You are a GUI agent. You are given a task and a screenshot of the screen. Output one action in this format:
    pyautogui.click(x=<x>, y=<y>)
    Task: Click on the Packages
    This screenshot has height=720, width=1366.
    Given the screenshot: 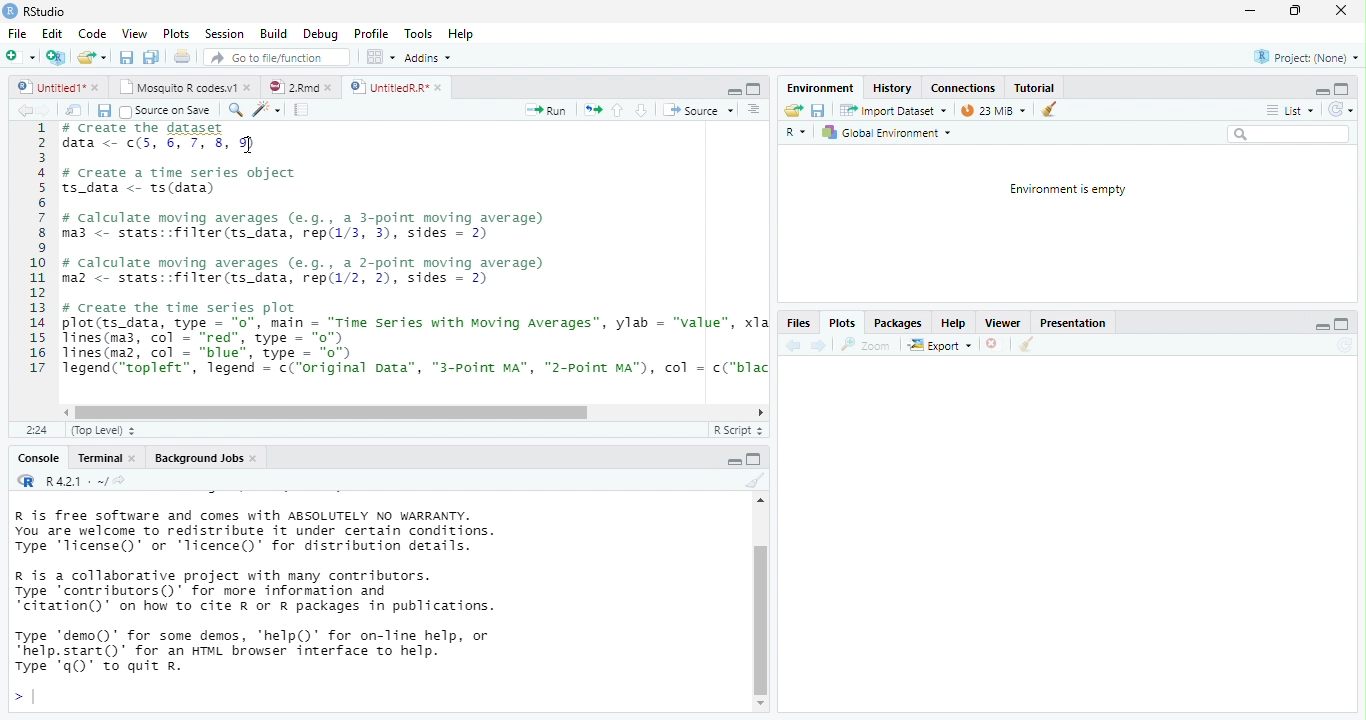 What is the action you would take?
    pyautogui.click(x=898, y=323)
    